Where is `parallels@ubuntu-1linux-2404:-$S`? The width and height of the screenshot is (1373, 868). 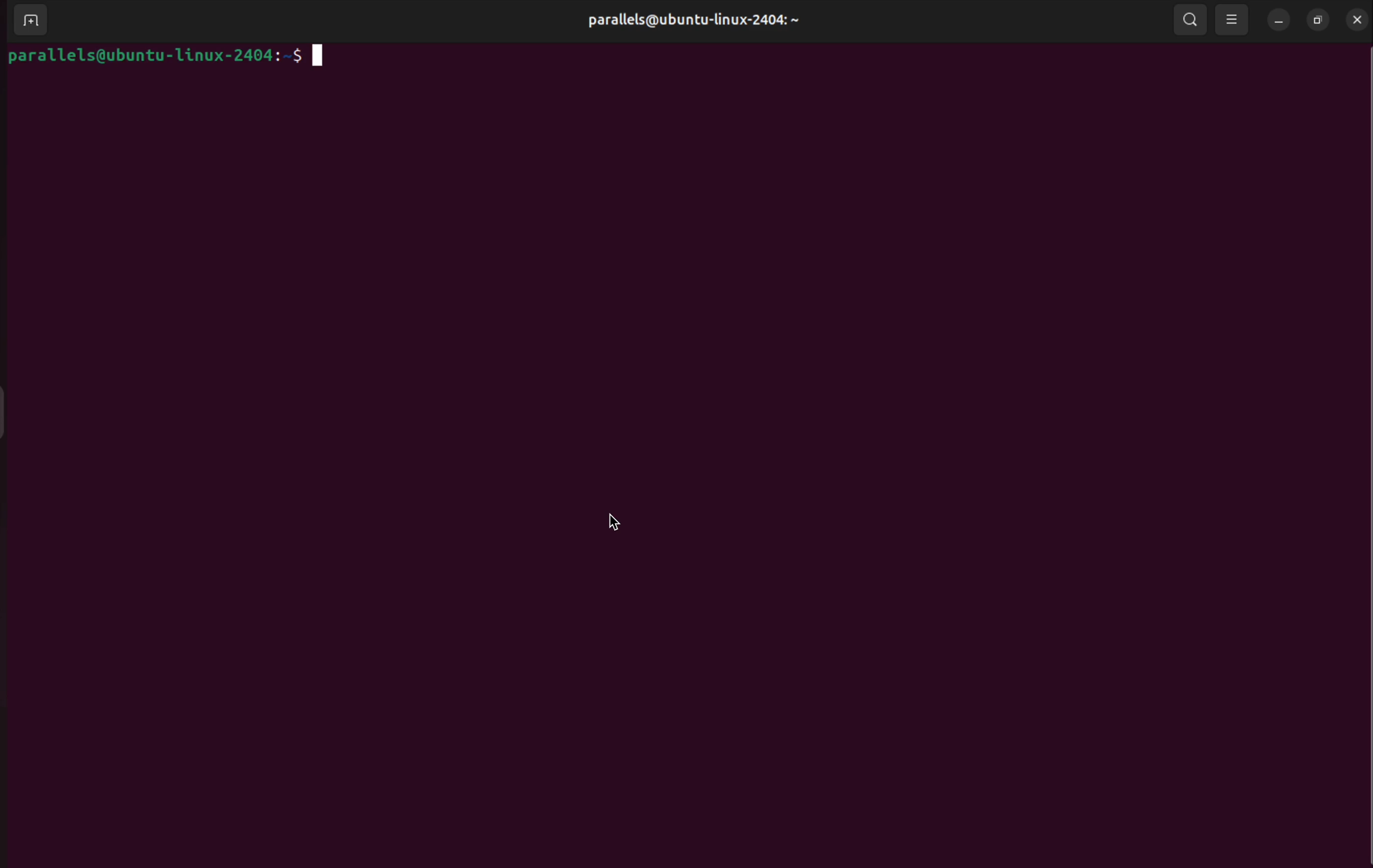
parallels@ubuntu-1linux-2404:-$S is located at coordinates (166, 57).